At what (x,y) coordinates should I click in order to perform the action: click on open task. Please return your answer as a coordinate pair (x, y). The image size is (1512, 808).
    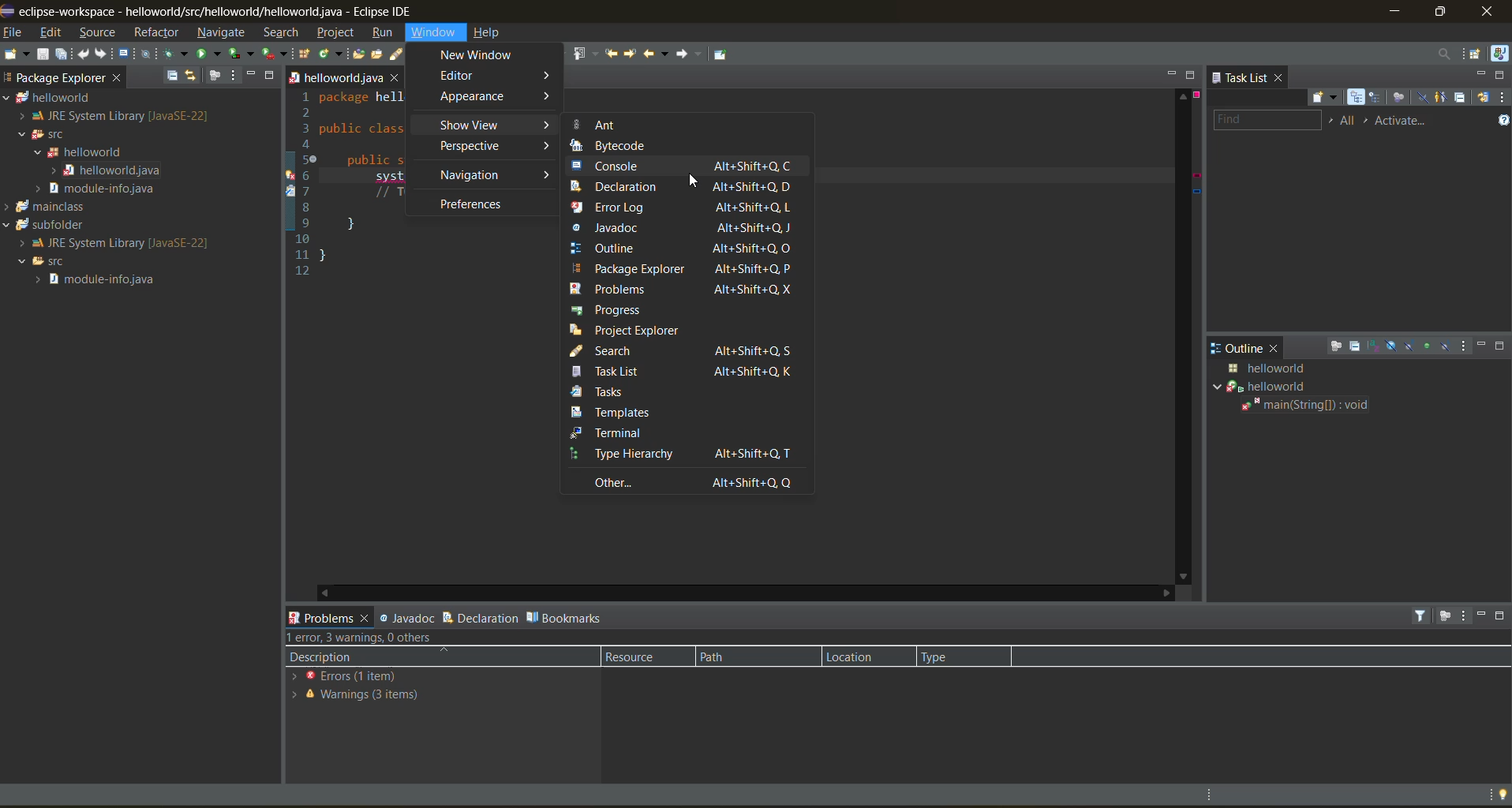
    Looking at the image, I should click on (378, 54).